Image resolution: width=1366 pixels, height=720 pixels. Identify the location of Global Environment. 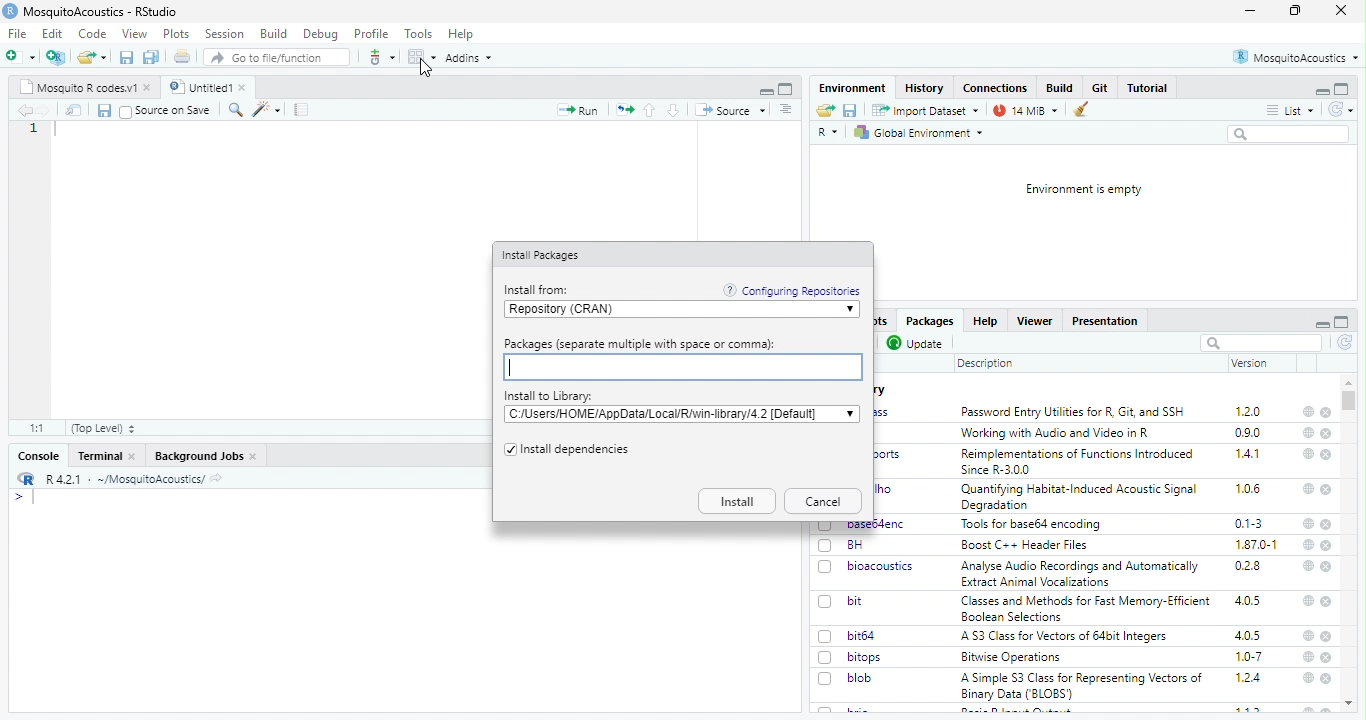
(918, 133).